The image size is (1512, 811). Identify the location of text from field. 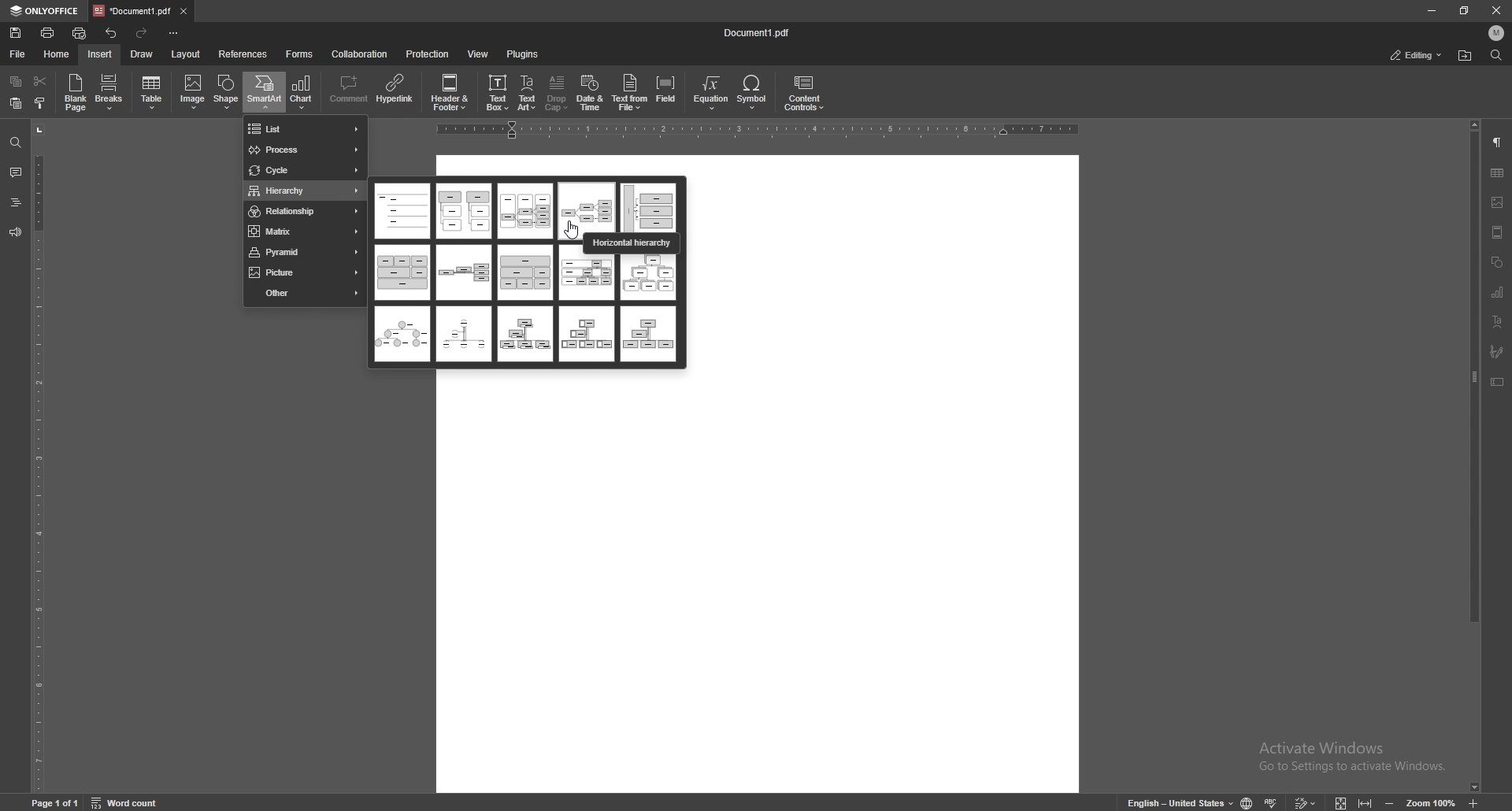
(630, 91).